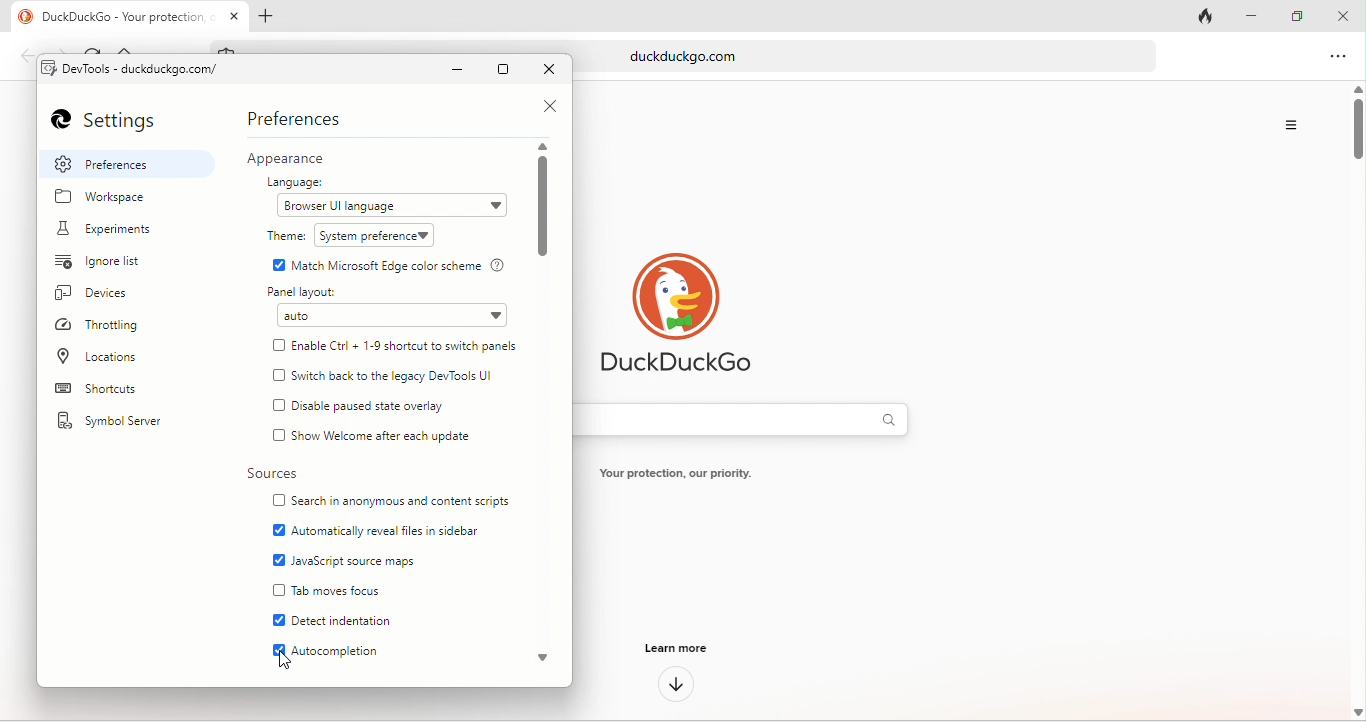  I want to click on automatically reveal files in sidebar, so click(390, 527).